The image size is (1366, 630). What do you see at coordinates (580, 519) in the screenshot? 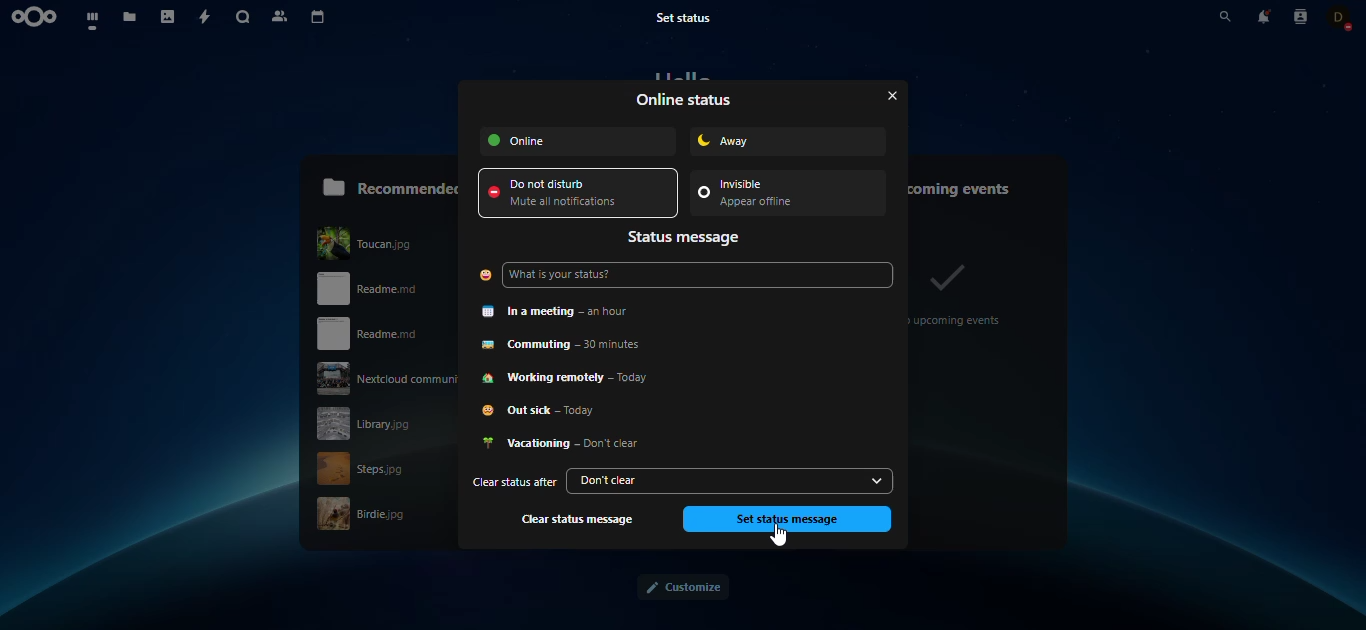
I see `clear status message` at bounding box center [580, 519].